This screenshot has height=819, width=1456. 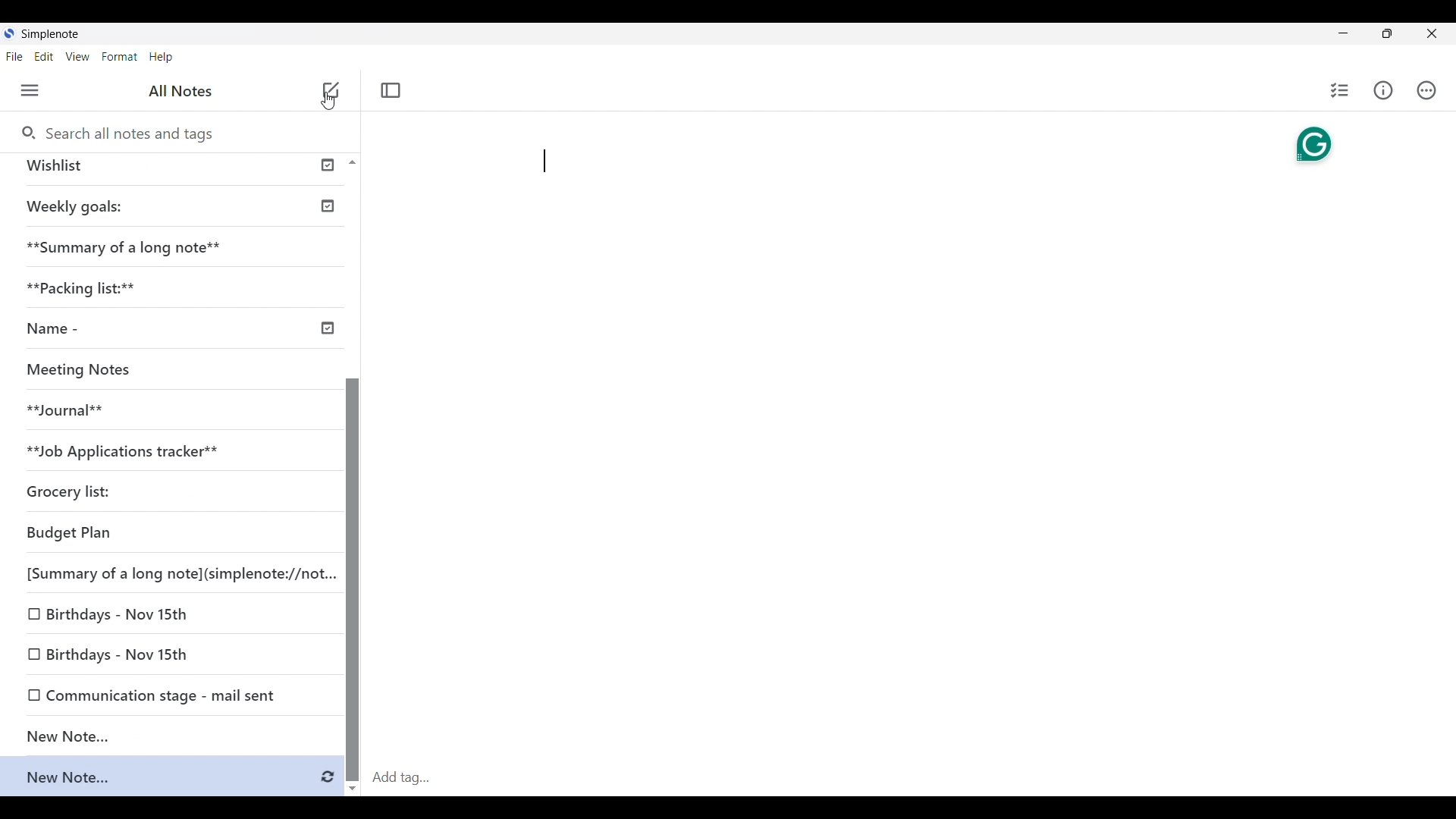 What do you see at coordinates (10, 33) in the screenshot?
I see `Software logo` at bounding box center [10, 33].